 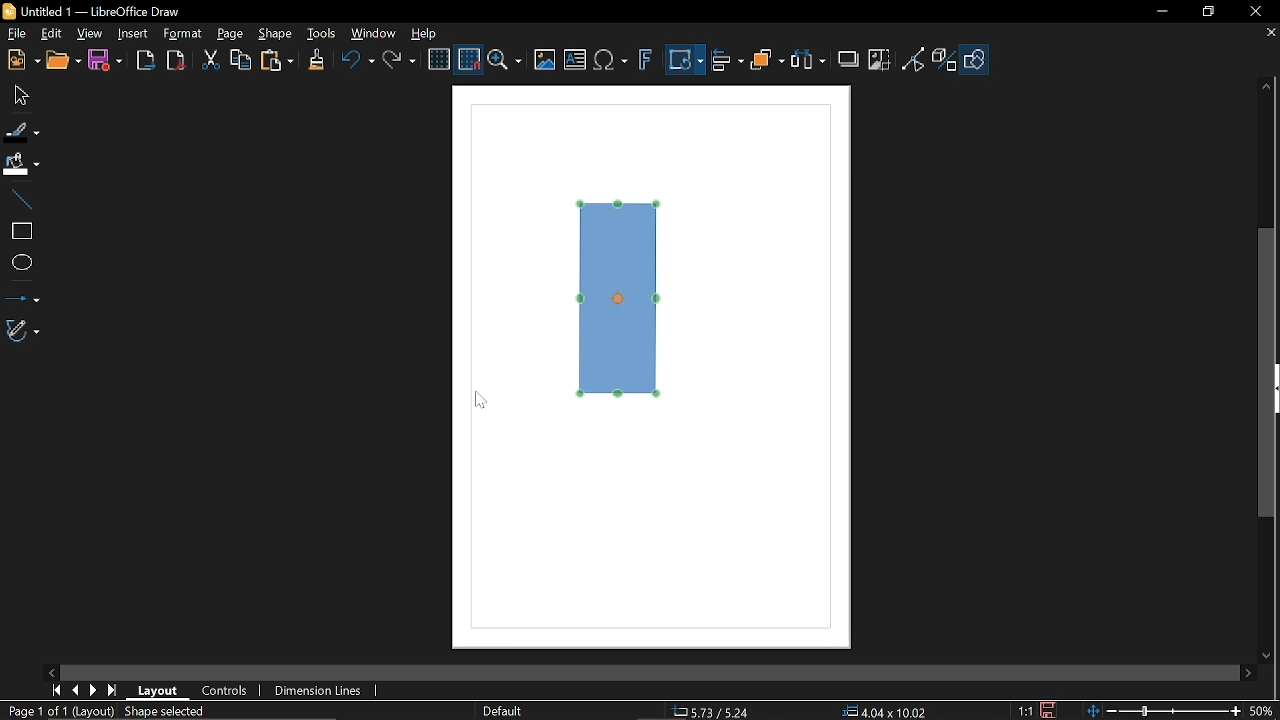 What do you see at coordinates (424, 34) in the screenshot?
I see `Help` at bounding box center [424, 34].